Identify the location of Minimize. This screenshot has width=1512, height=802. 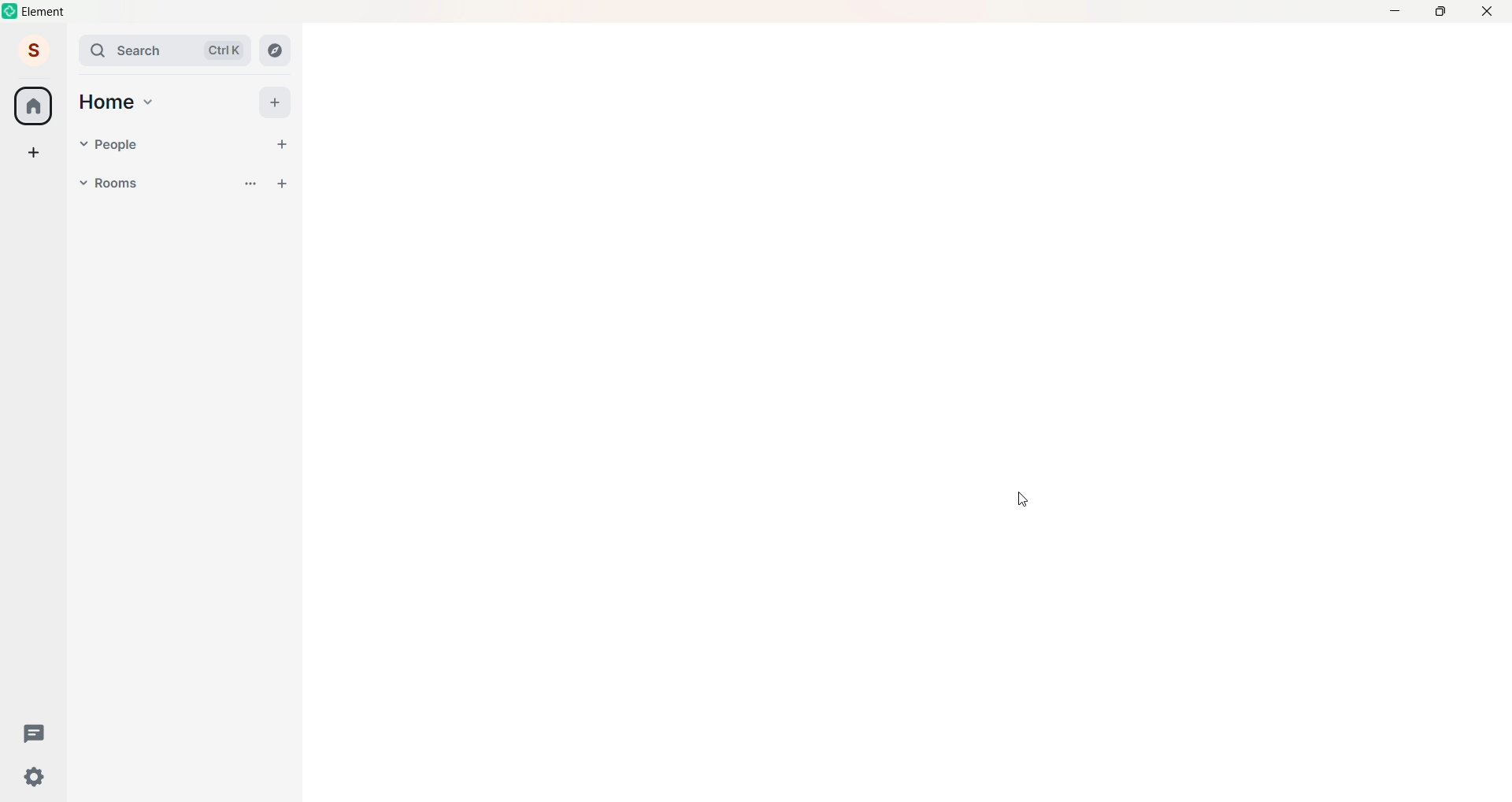
(1397, 12).